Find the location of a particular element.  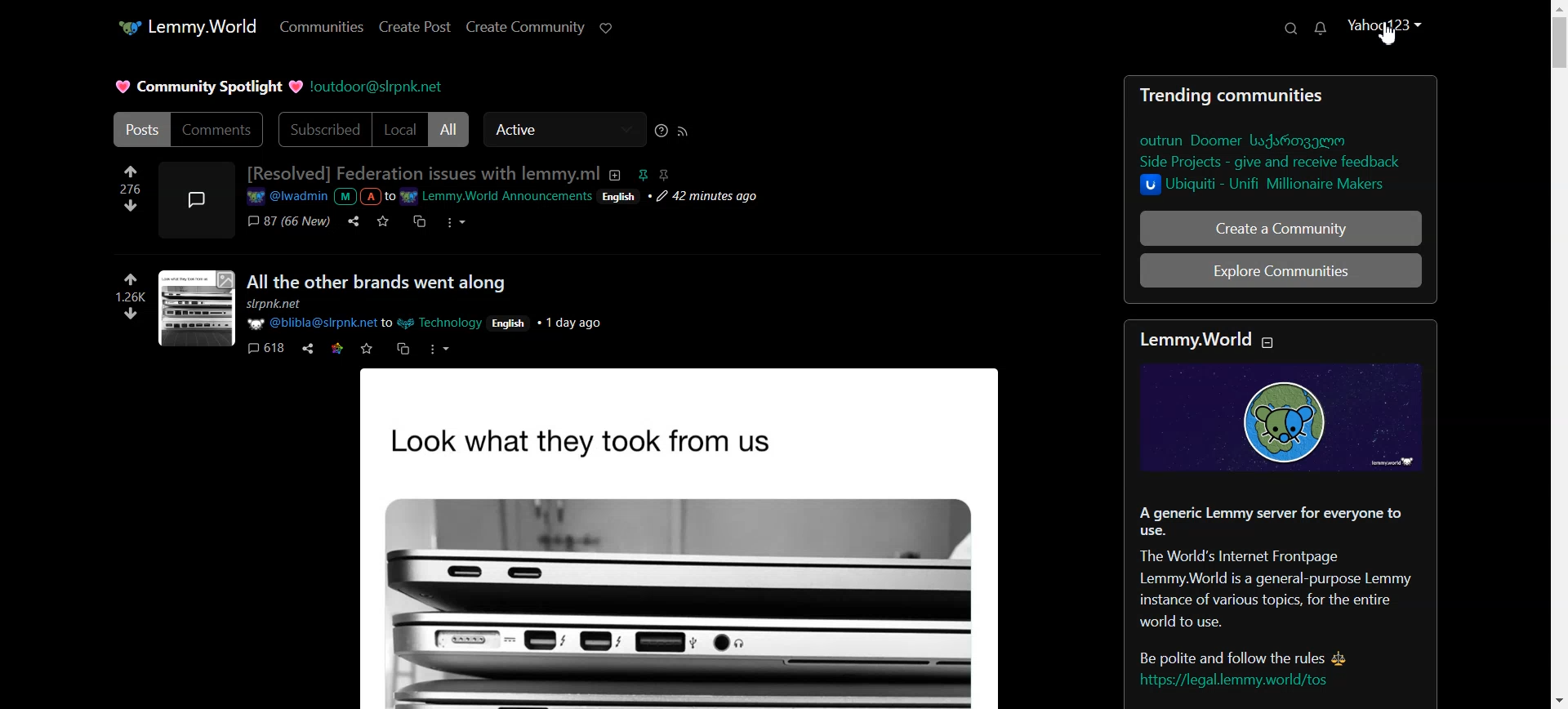

 is located at coordinates (438, 350).